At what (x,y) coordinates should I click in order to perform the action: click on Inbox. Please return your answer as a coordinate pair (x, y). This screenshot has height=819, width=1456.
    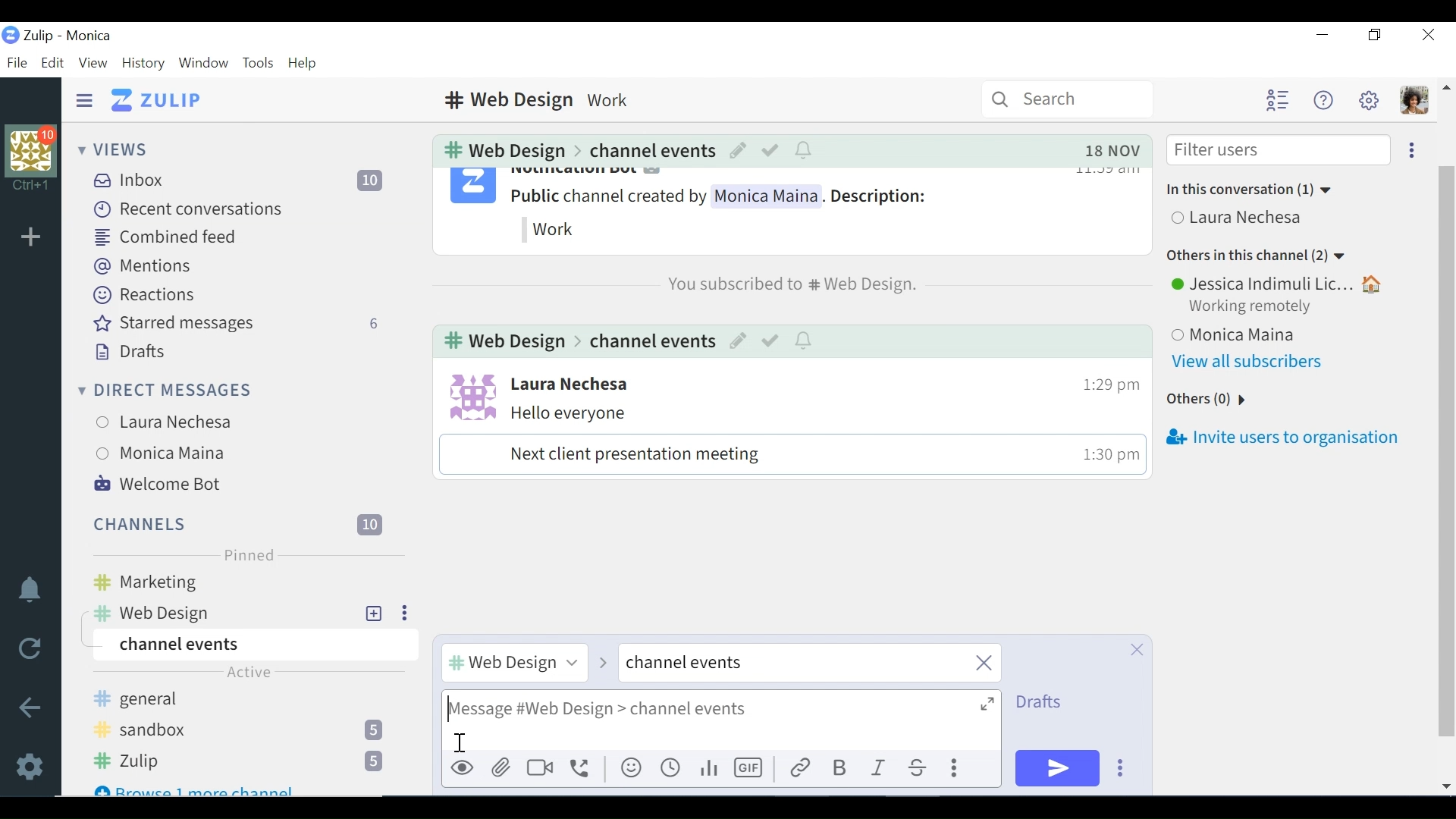
    Looking at the image, I should click on (246, 180).